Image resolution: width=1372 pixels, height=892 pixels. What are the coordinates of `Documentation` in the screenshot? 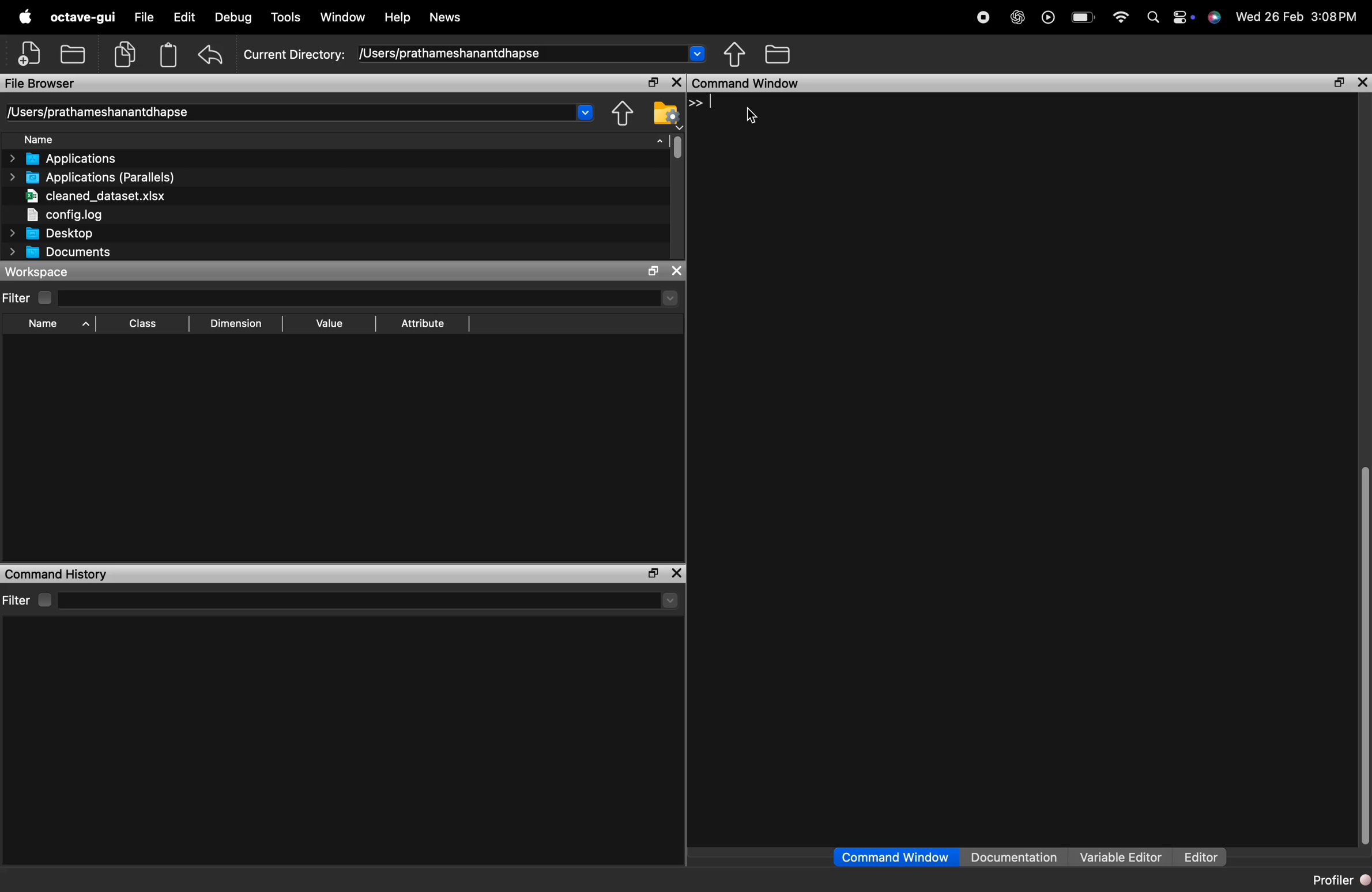 It's located at (1014, 858).